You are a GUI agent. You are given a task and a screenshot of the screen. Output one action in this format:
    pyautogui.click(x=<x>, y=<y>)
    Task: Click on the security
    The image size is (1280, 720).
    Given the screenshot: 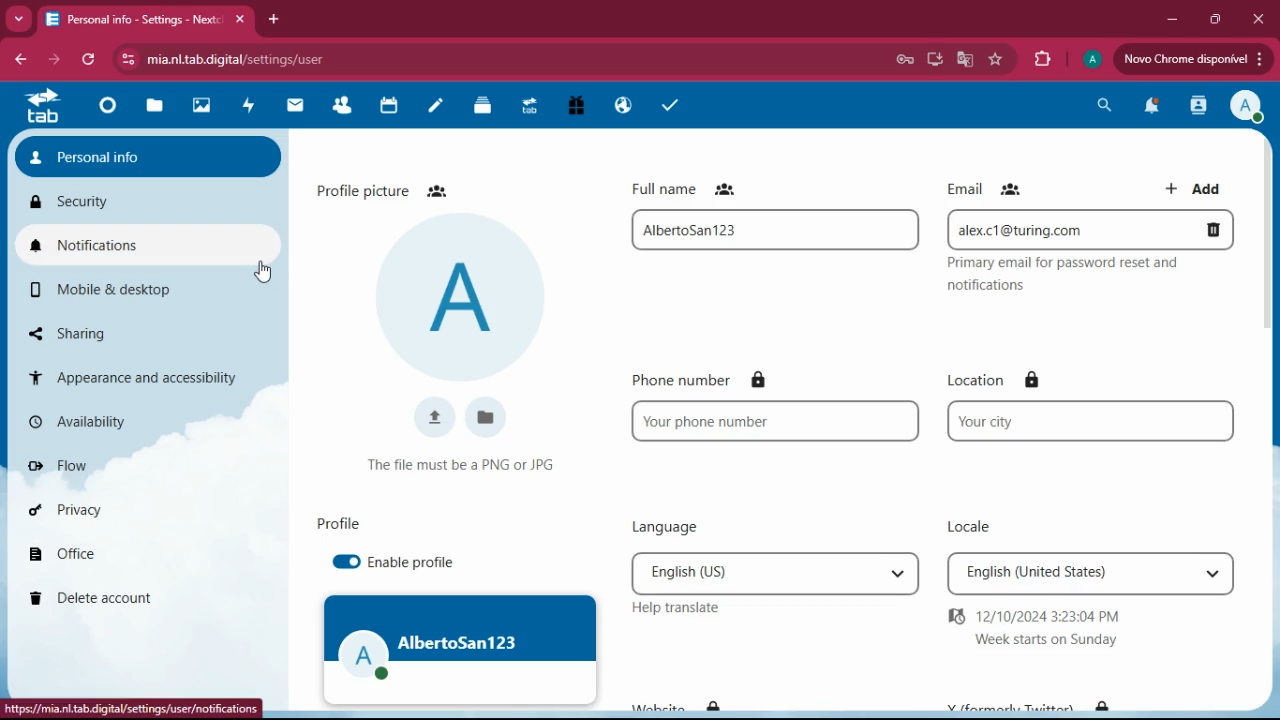 What is the action you would take?
    pyautogui.click(x=145, y=204)
    